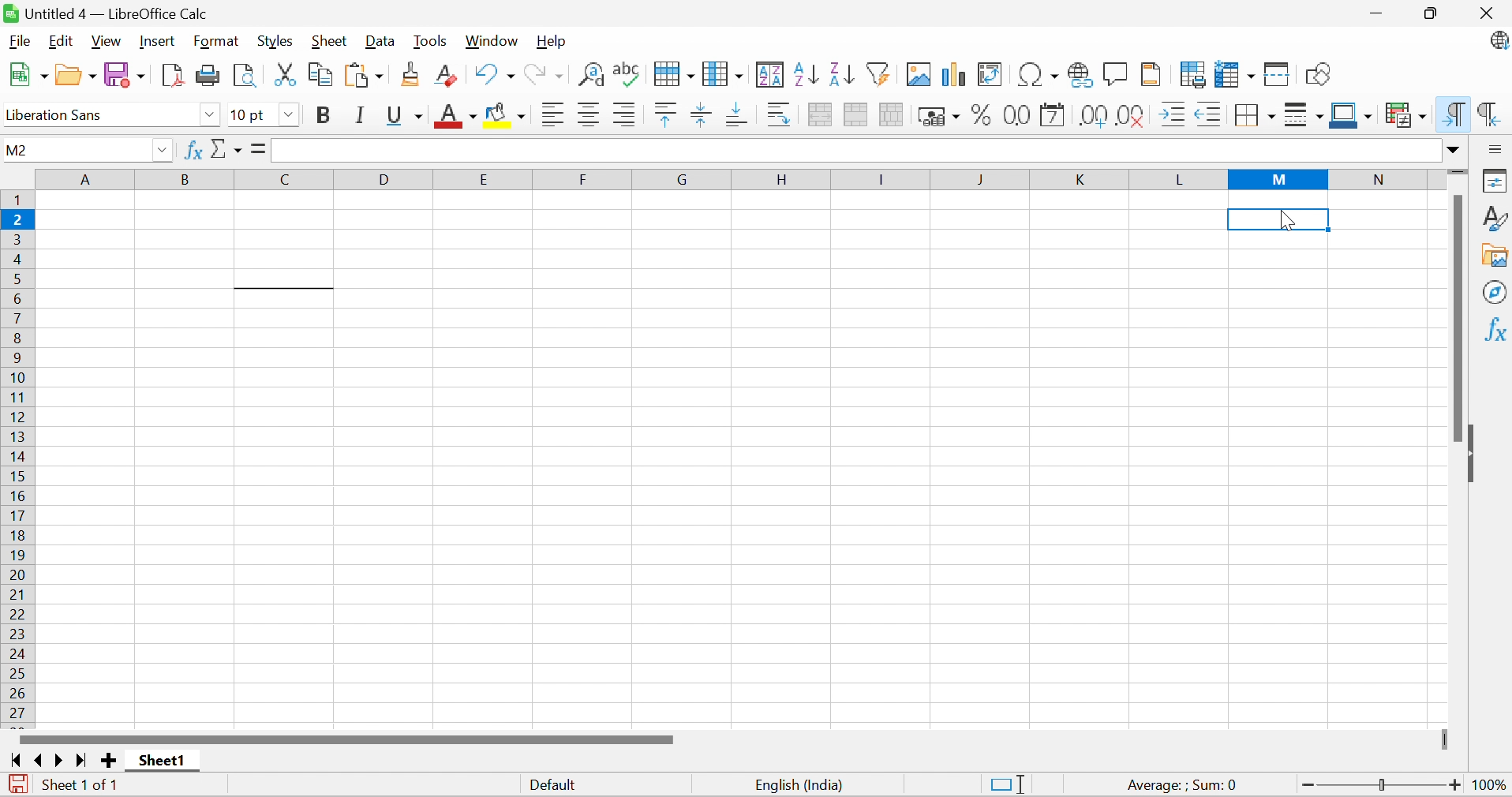 The image size is (1512, 797). I want to click on Insert chart, so click(955, 75).